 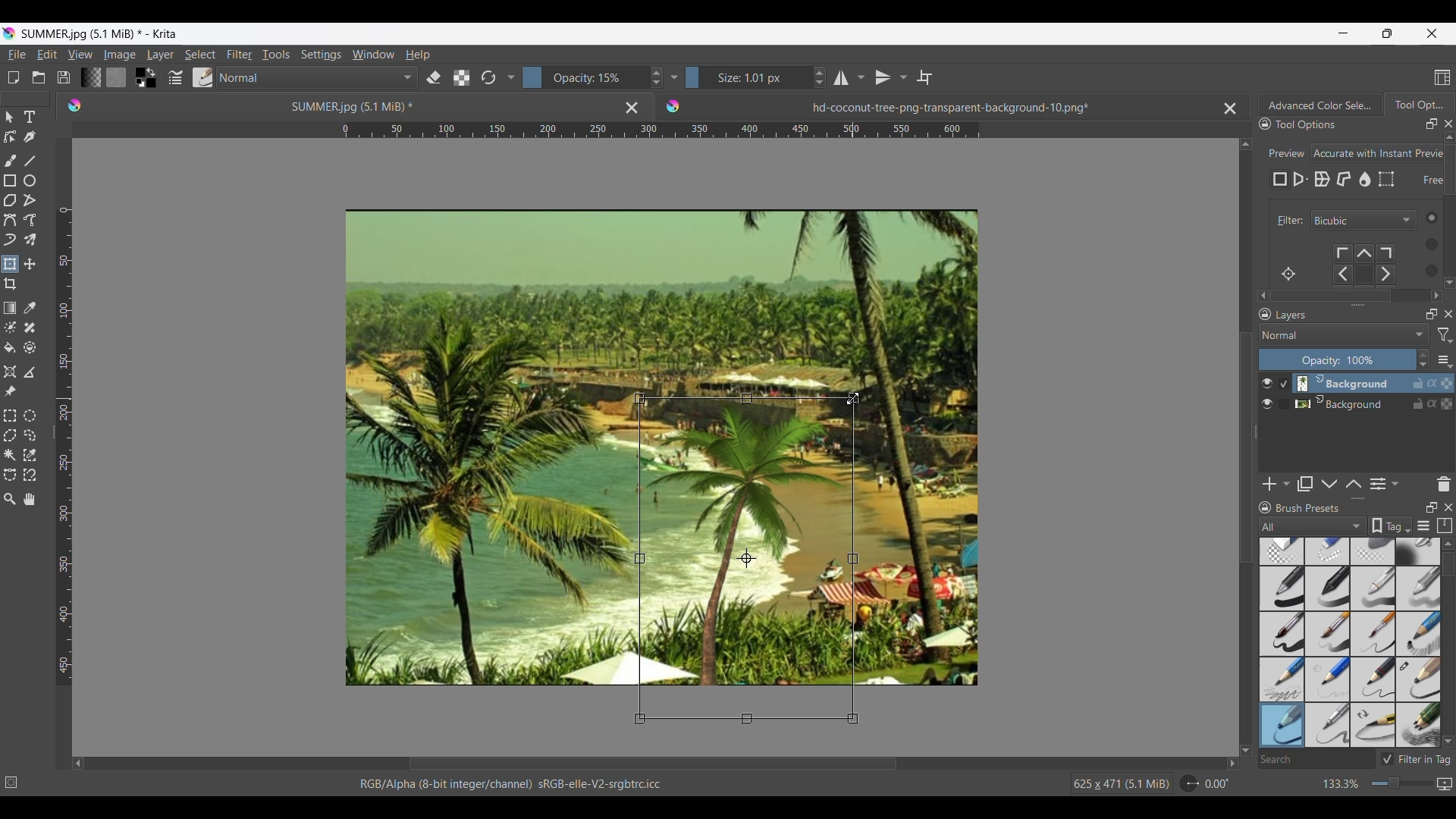 What do you see at coordinates (1448, 124) in the screenshot?
I see `Close docker` at bounding box center [1448, 124].